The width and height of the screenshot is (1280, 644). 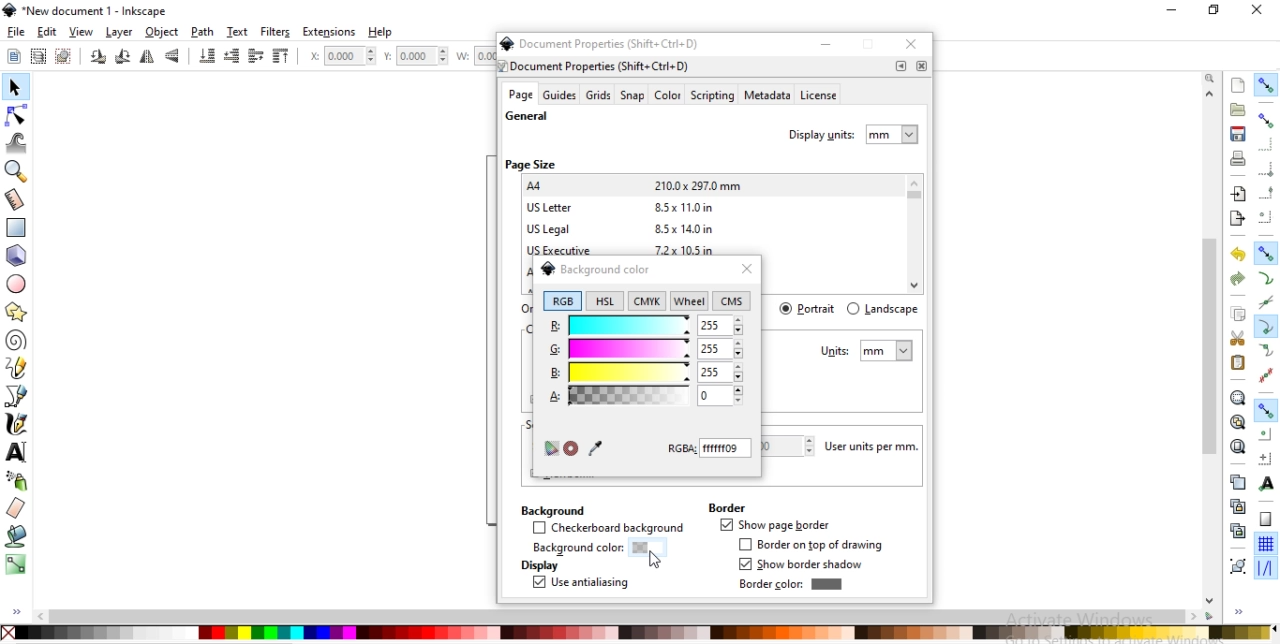 I want to click on create s document with default template, so click(x=1239, y=84).